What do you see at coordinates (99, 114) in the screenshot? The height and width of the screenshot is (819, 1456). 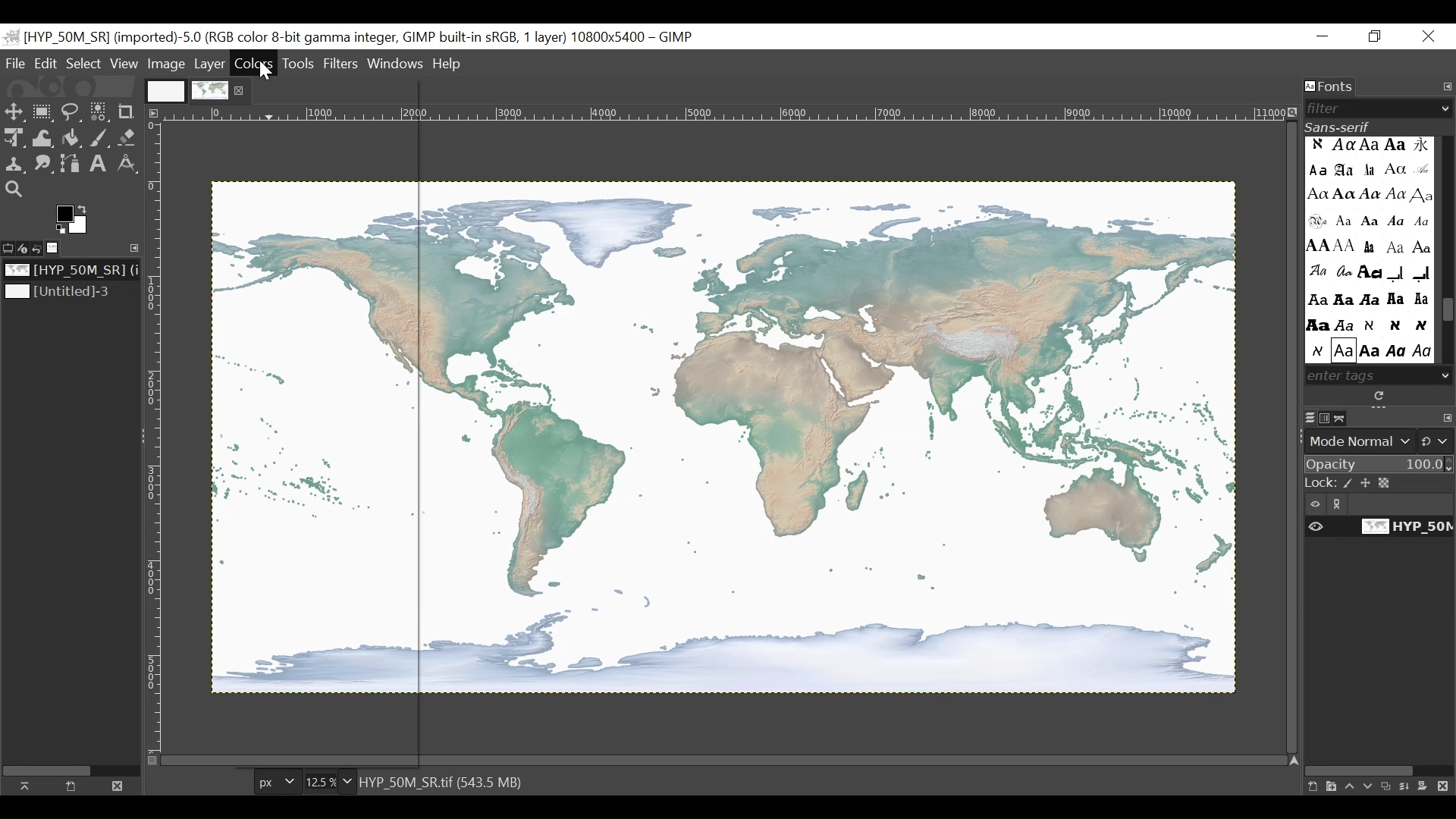 I see `Select by color tool` at bounding box center [99, 114].